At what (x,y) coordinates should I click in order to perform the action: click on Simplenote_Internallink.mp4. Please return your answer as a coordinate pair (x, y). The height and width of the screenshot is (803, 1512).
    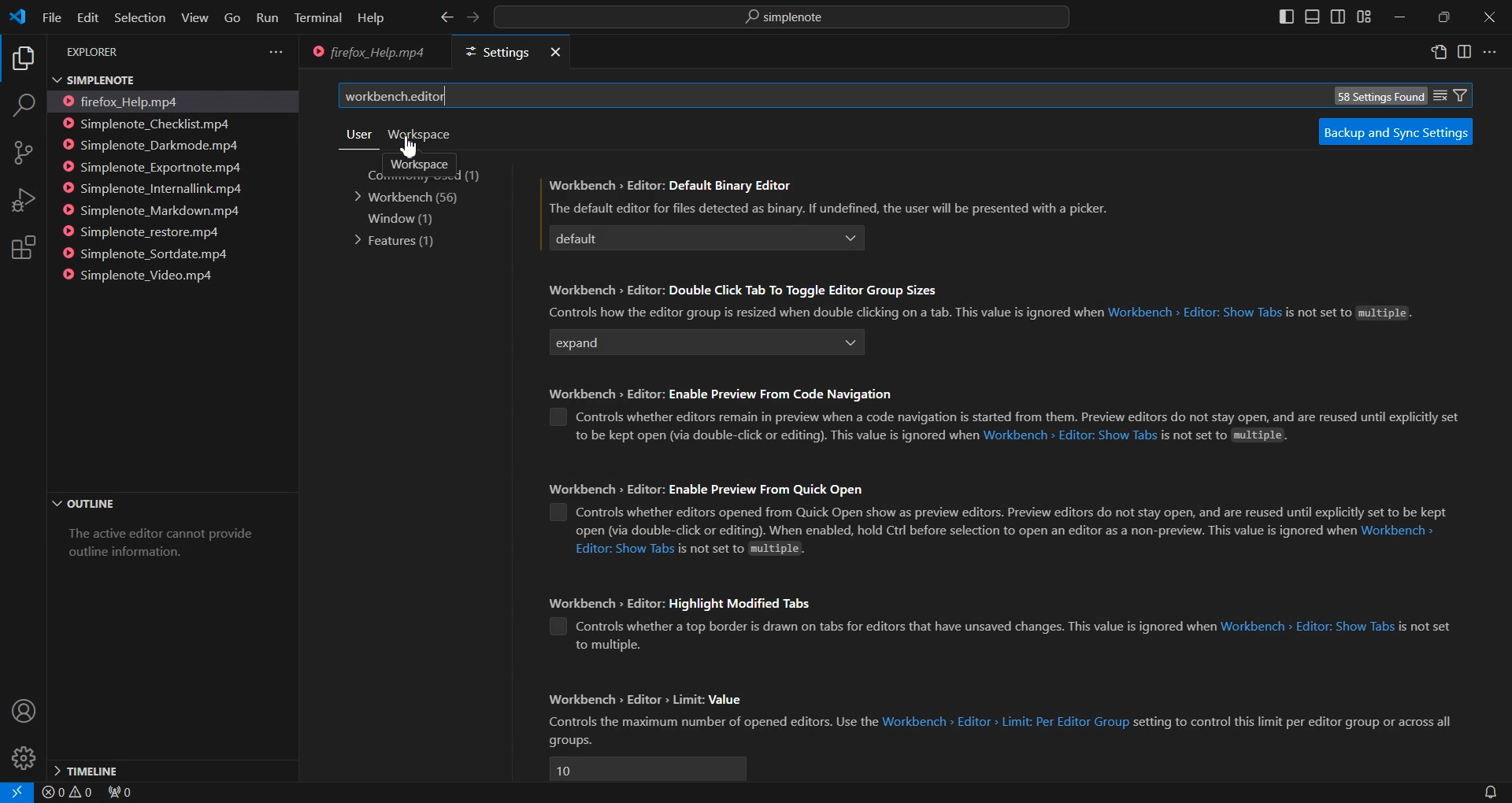
    Looking at the image, I should click on (154, 189).